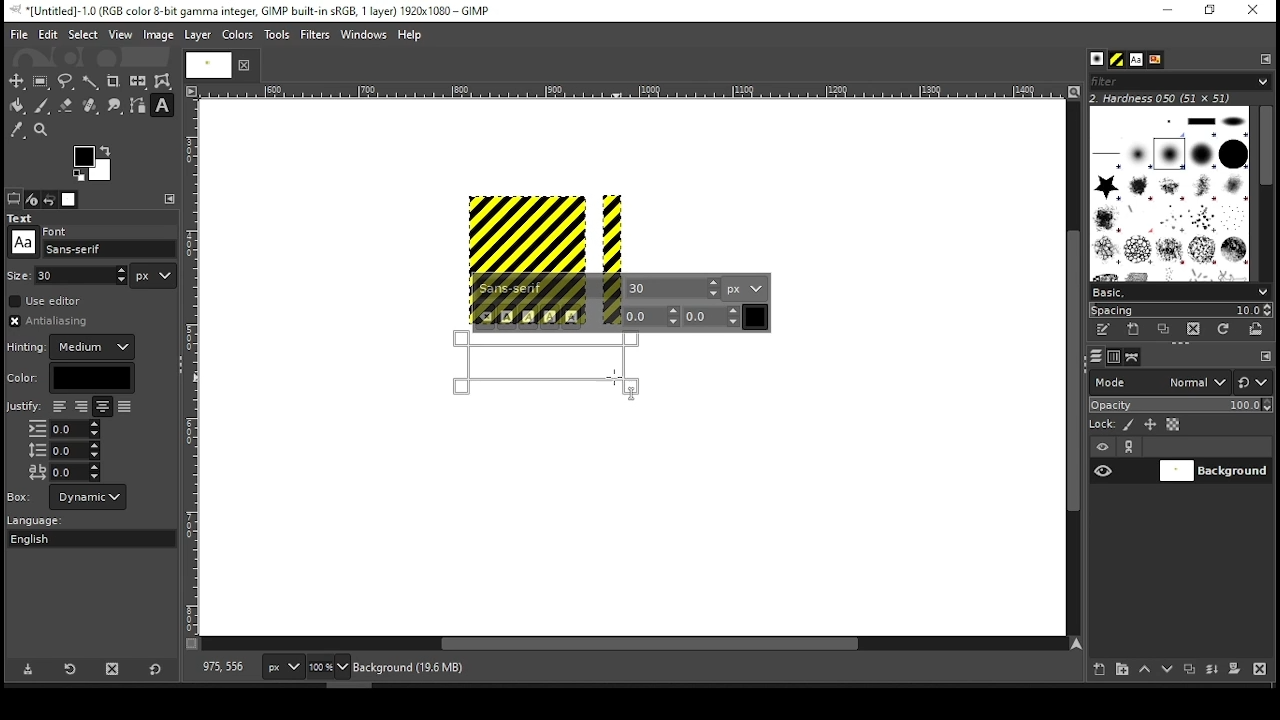 The width and height of the screenshot is (1280, 720). What do you see at coordinates (282, 669) in the screenshot?
I see `px` at bounding box center [282, 669].